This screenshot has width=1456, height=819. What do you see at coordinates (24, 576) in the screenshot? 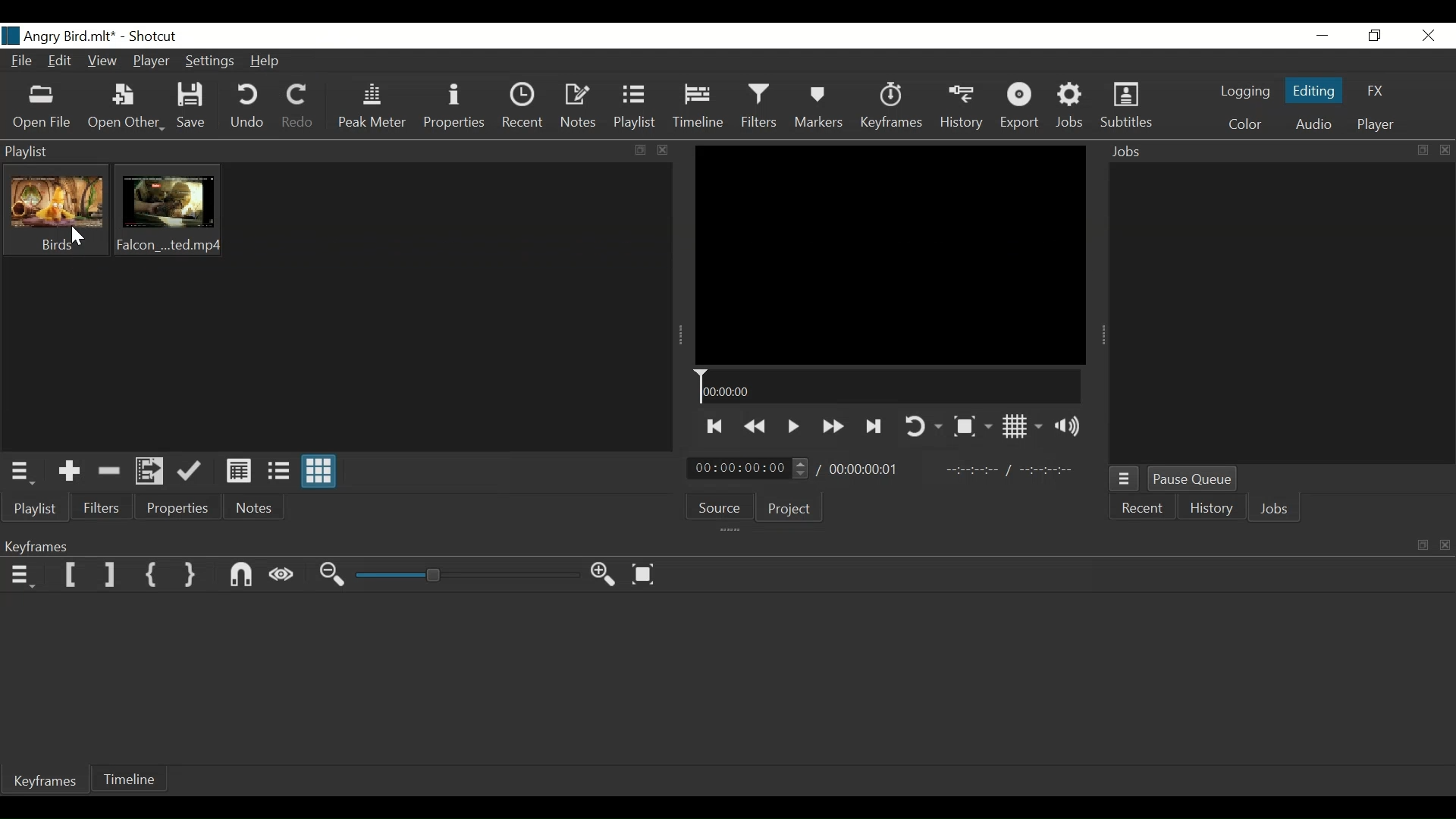
I see `Keyframe menu` at bounding box center [24, 576].